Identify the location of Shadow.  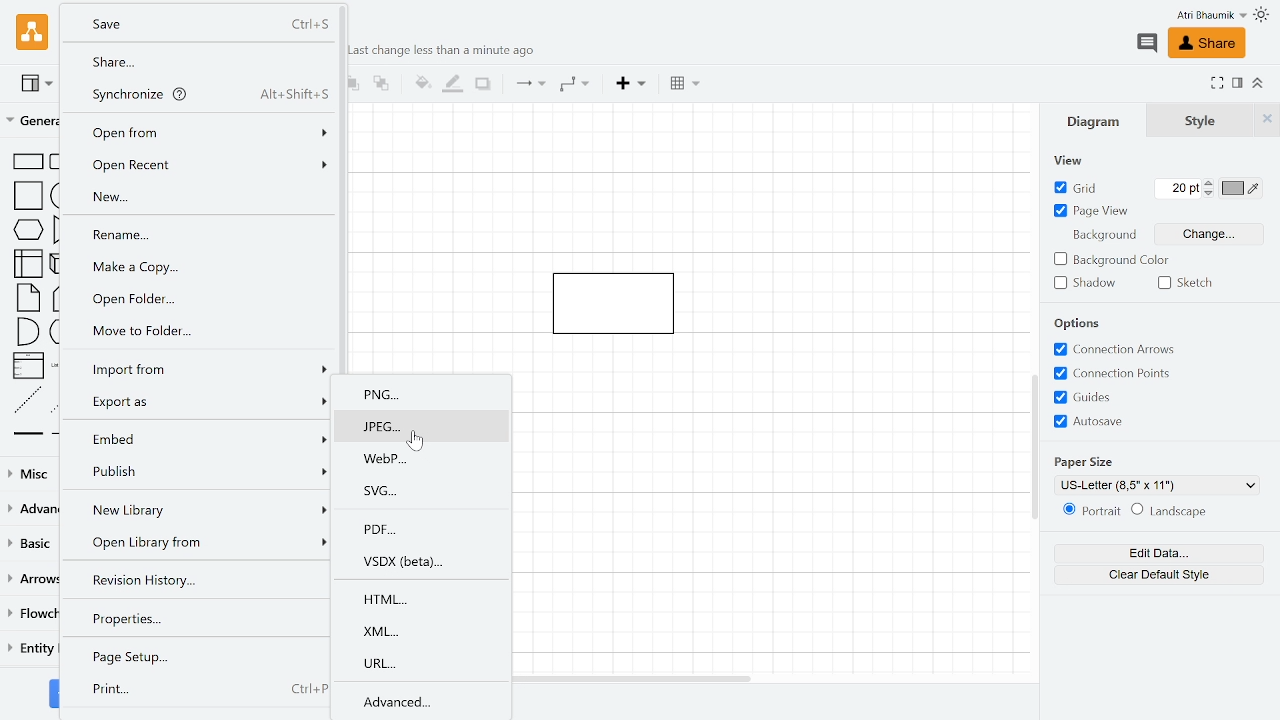
(1084, 283).